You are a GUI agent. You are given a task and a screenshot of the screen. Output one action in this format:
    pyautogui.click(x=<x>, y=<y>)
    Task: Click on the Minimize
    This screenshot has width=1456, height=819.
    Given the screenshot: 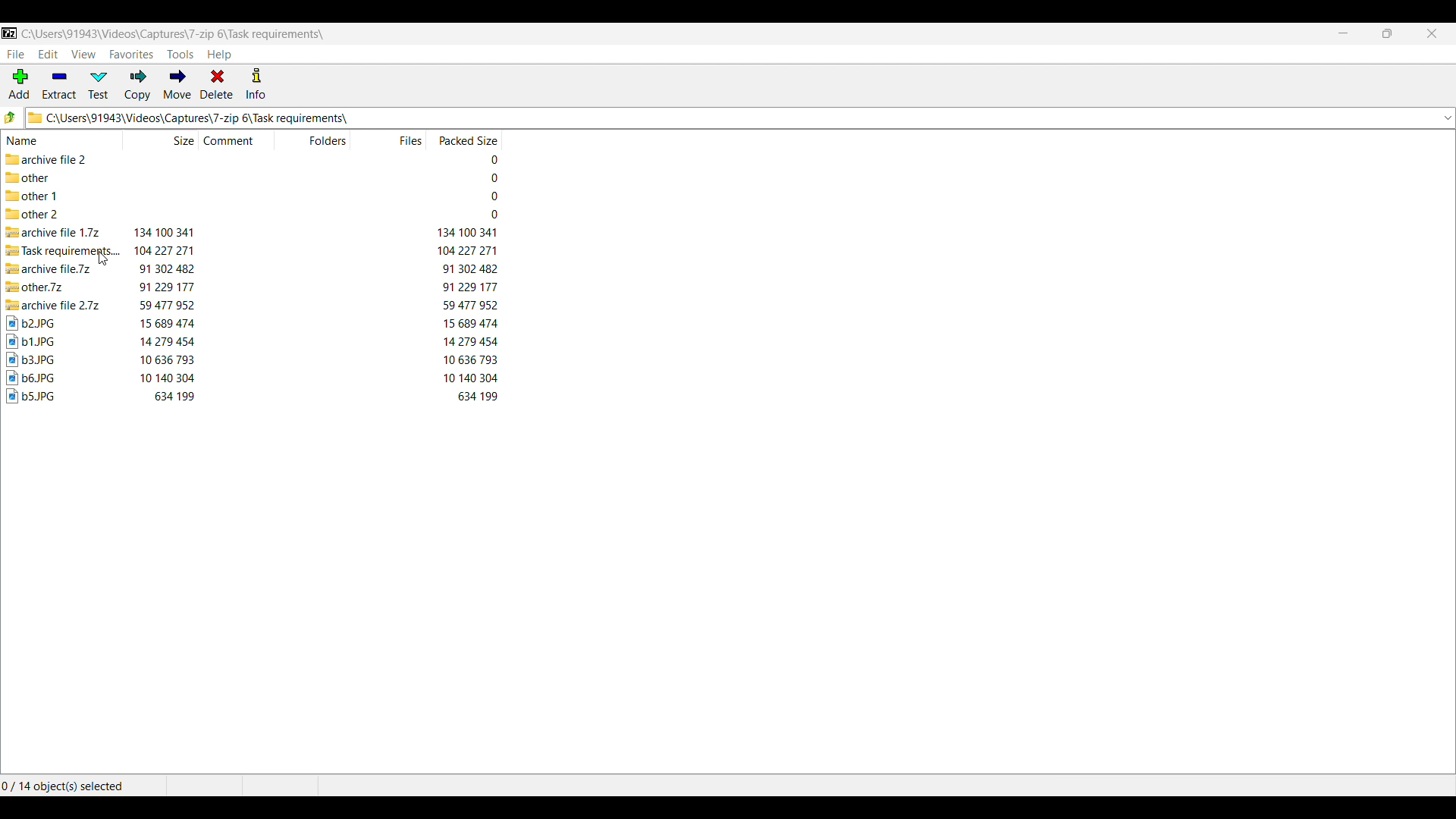 What is the action you would take?
    pyautogui.click(x=1344, y=33)
    